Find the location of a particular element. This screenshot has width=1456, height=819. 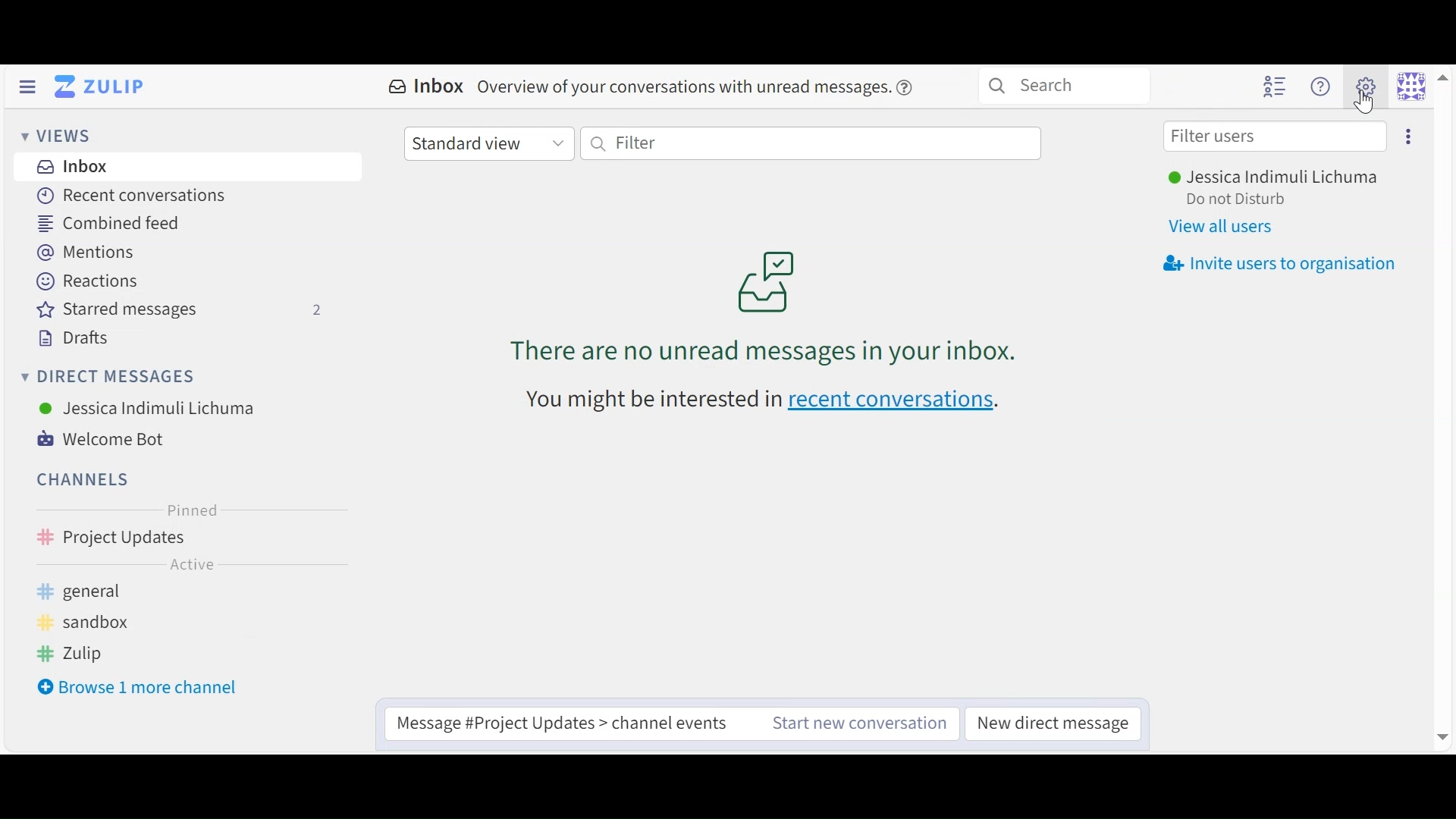

Inbox is located at coordinates (74, 166).